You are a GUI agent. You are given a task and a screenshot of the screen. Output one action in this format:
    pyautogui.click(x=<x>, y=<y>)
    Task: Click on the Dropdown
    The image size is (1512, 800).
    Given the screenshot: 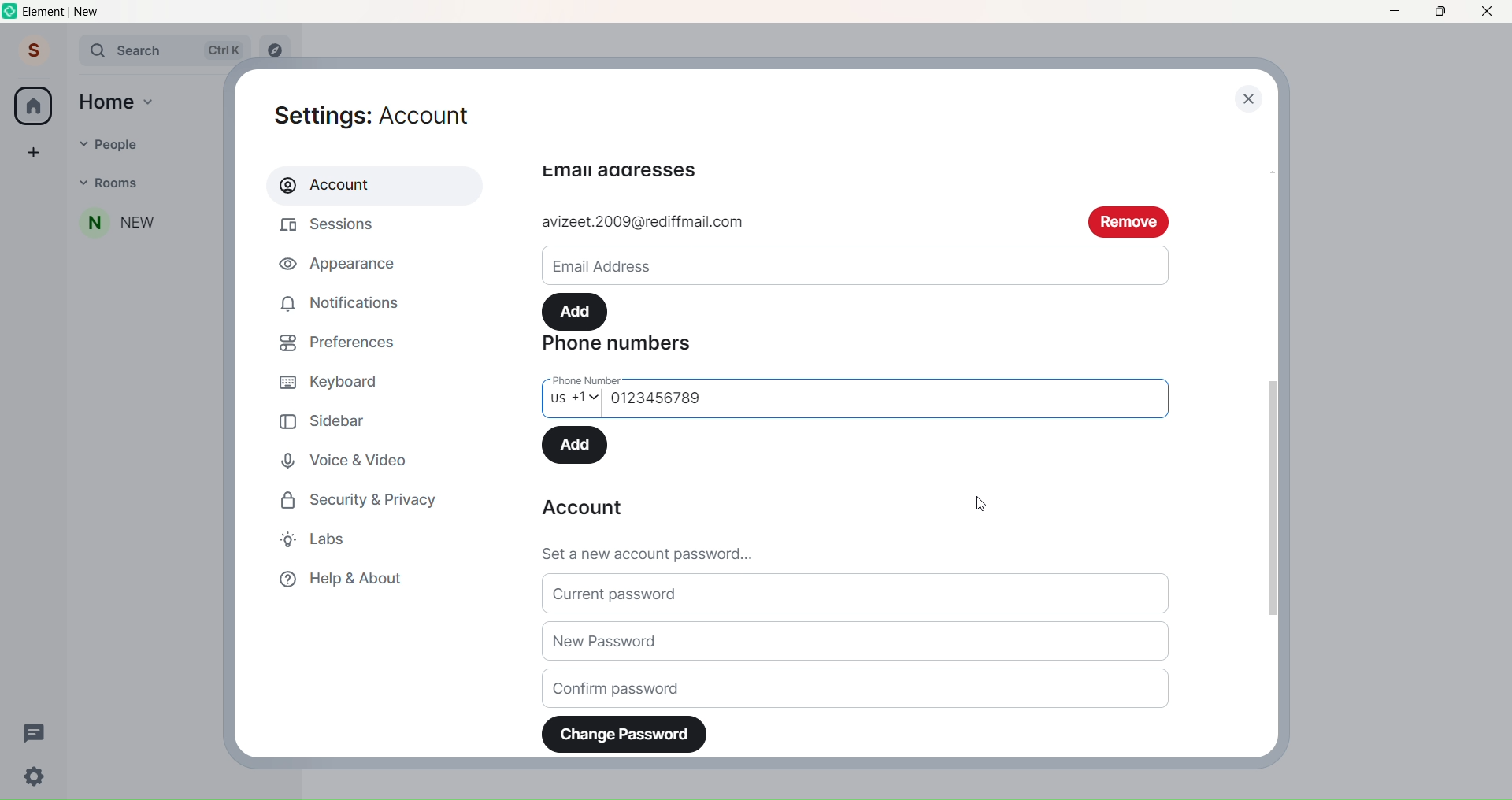 What is the action you would take?
    pyautogui.click(x=82, y=181)
    